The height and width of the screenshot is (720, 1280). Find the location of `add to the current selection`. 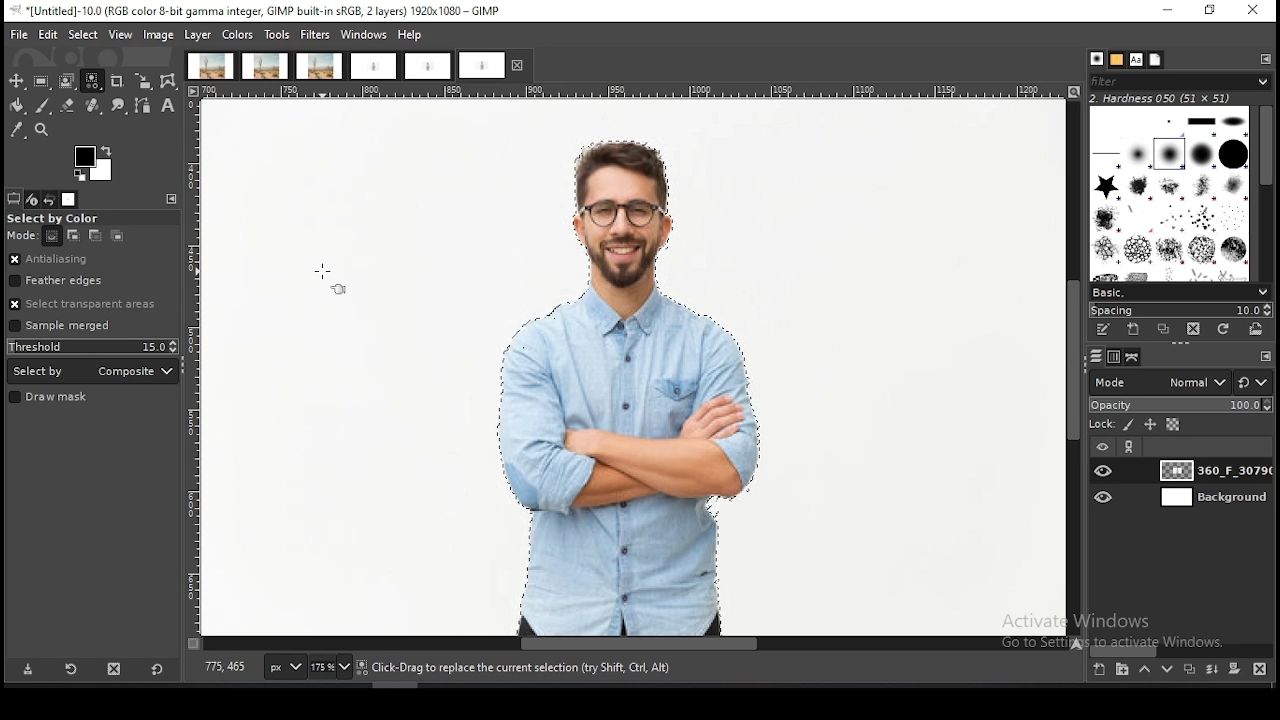

add to the current selection is located at coordinates (71, 236).